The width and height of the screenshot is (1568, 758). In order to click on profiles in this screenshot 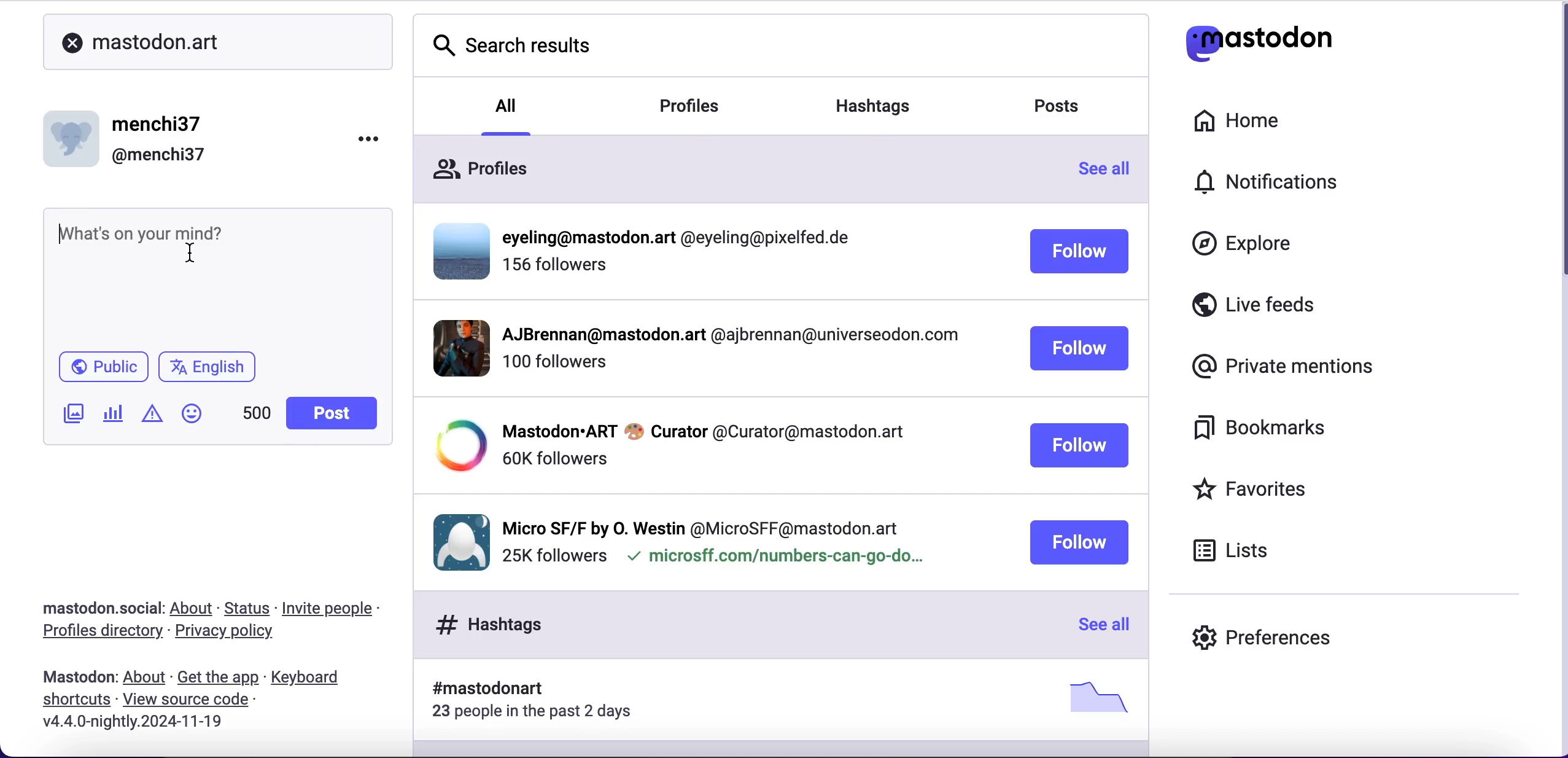, I will do `click(691, 107)`.